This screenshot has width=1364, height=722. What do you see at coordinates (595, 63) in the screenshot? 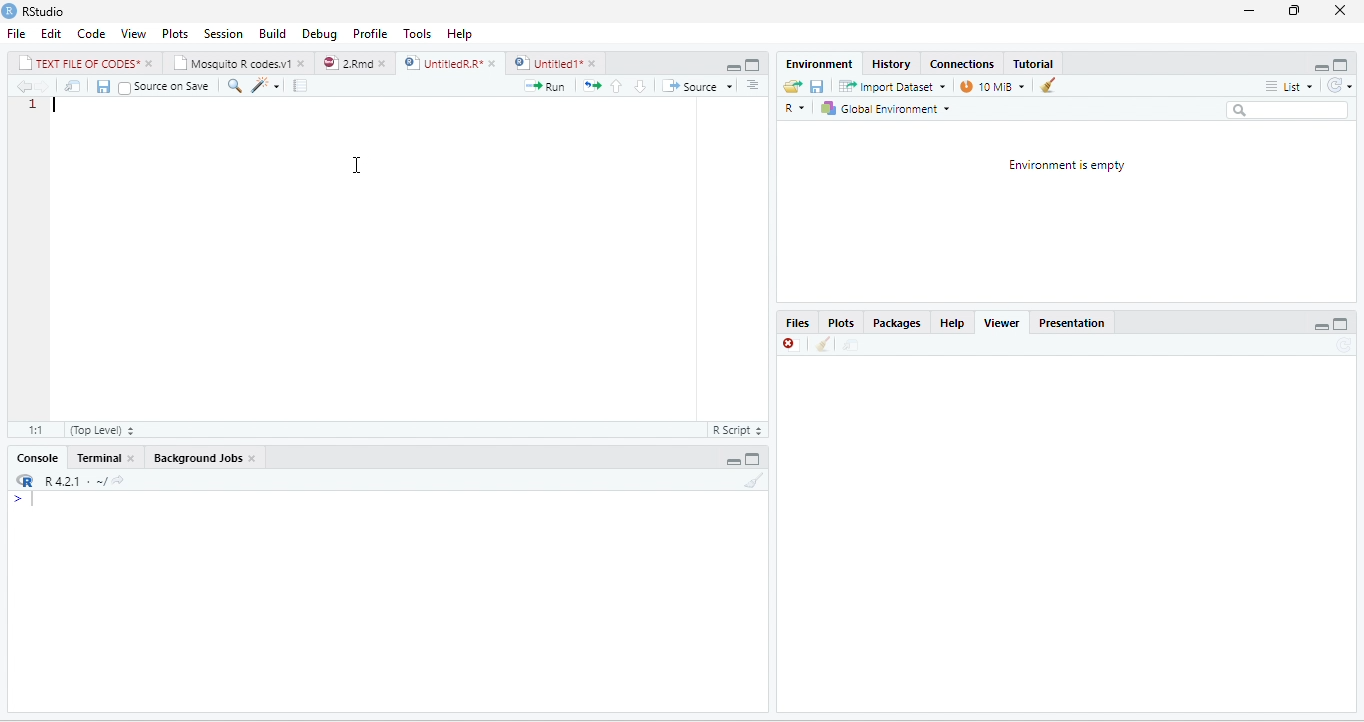
I see `close` at bounding box center [595, 63].